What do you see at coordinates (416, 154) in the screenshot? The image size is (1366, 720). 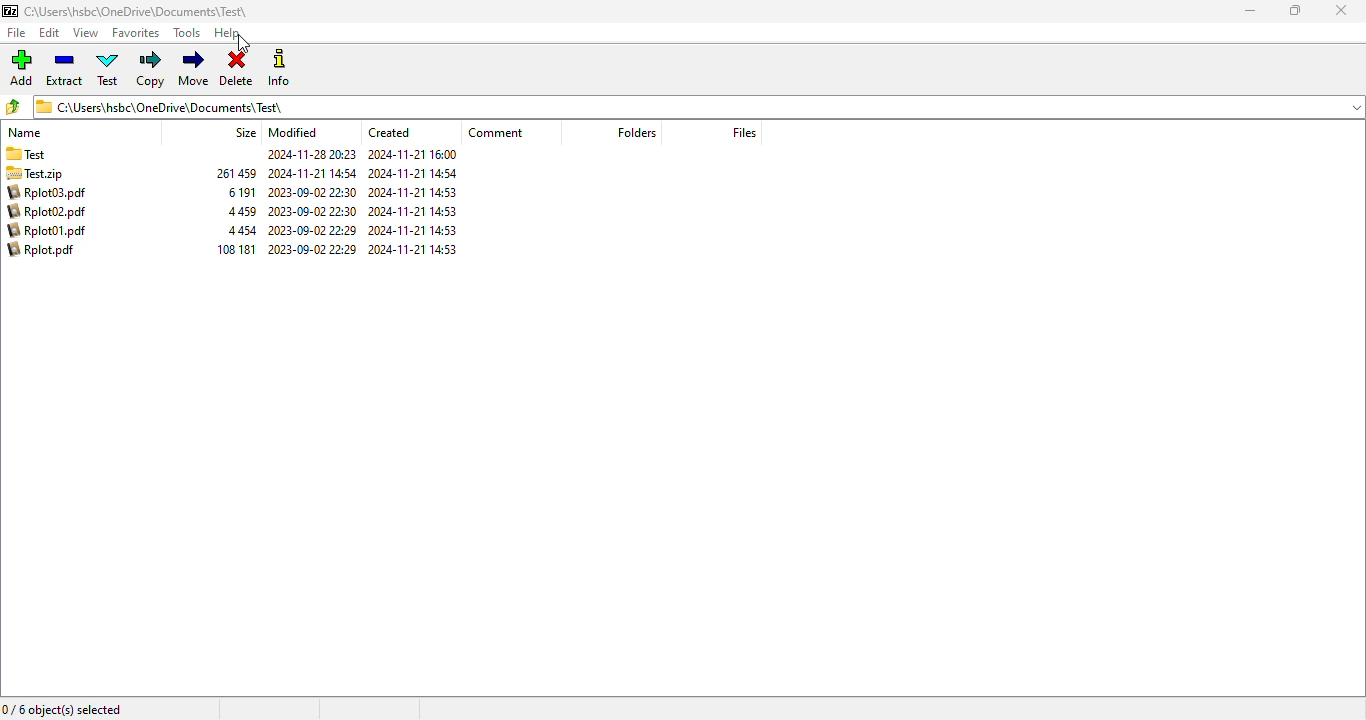 I see `2024-11-21 16:00` at bounding box center [416, 154].